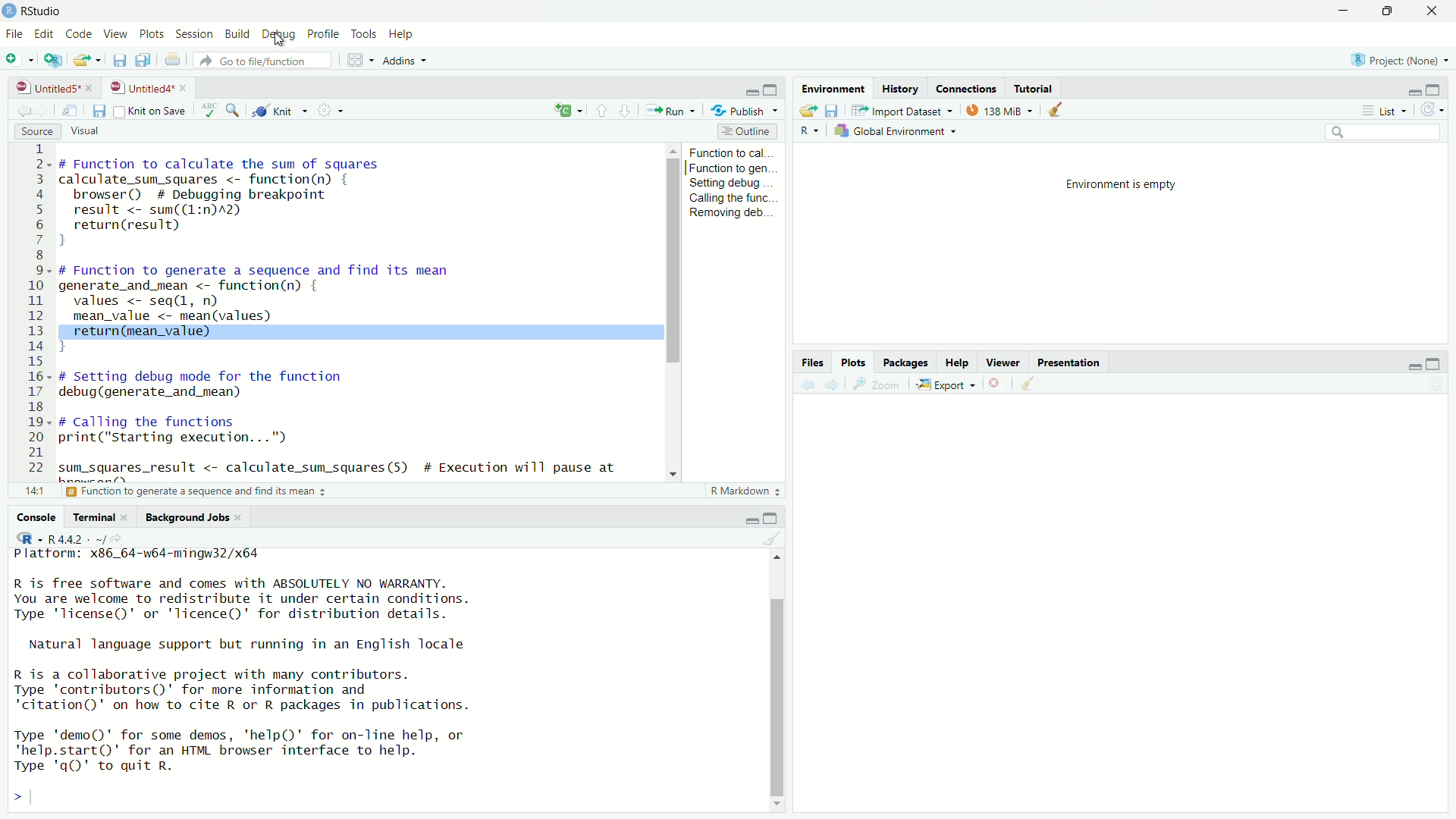 This screenshot has height=819, width=1456. Describe the element at coordinates (813, 362) in the screenshot. I see `files` at that location.